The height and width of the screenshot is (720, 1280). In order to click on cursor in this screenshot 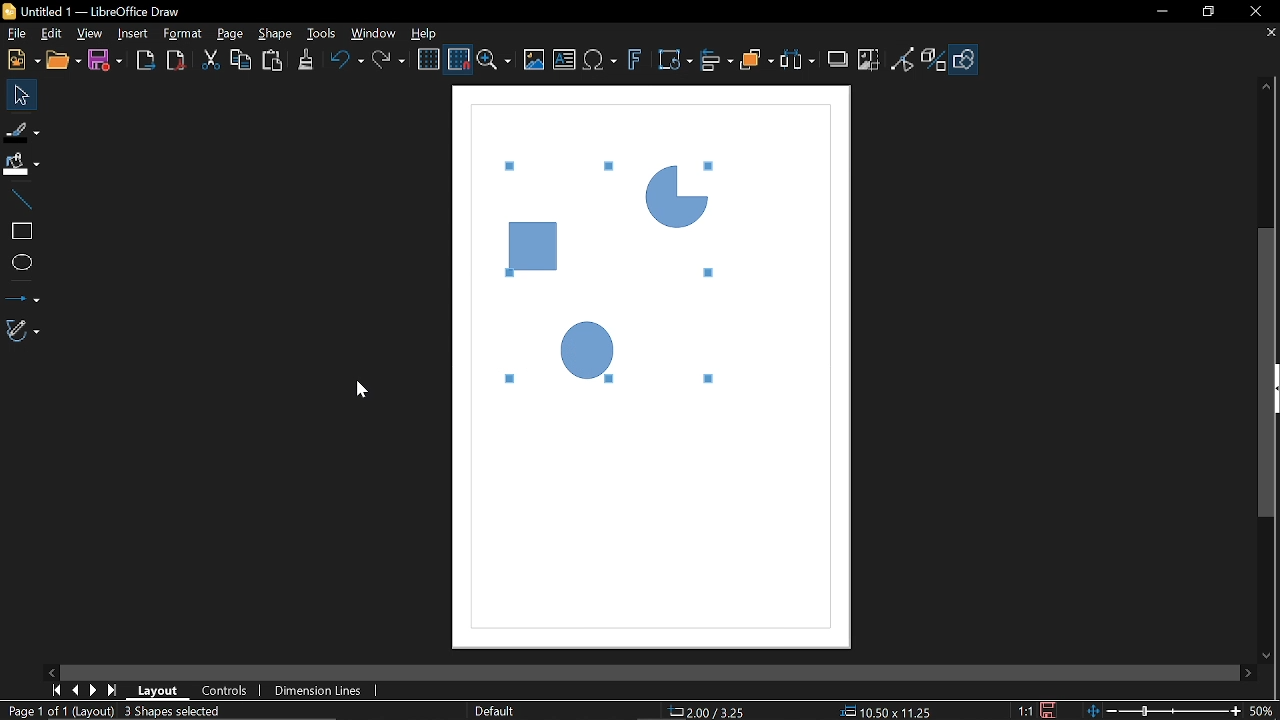, I will do `click(370, 390)`.